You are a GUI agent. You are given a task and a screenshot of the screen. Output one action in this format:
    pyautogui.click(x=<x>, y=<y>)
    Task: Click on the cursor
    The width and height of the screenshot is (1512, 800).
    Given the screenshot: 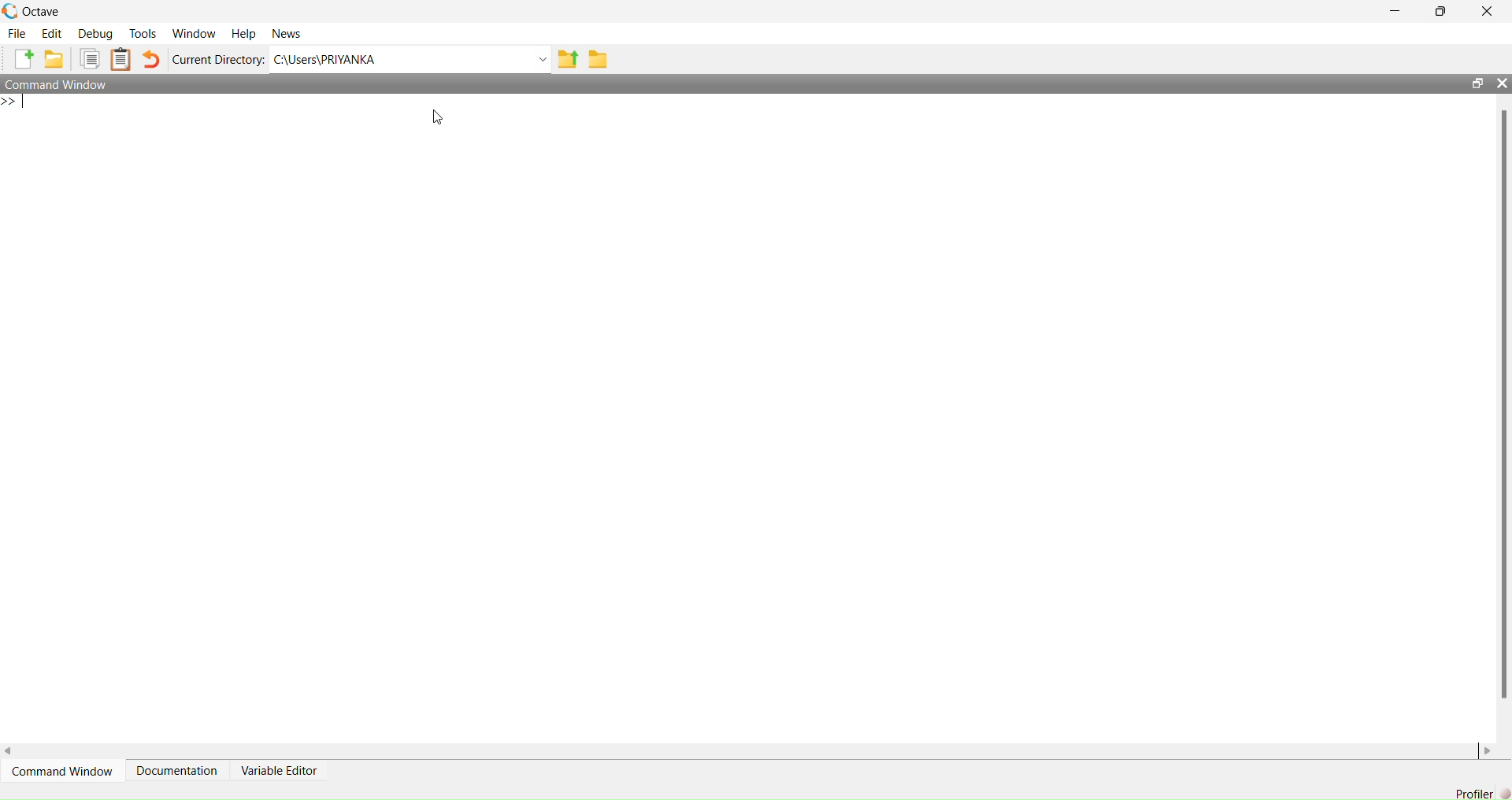 What is the action you would take?
    pyautogui.click(x=438, y=116)
    